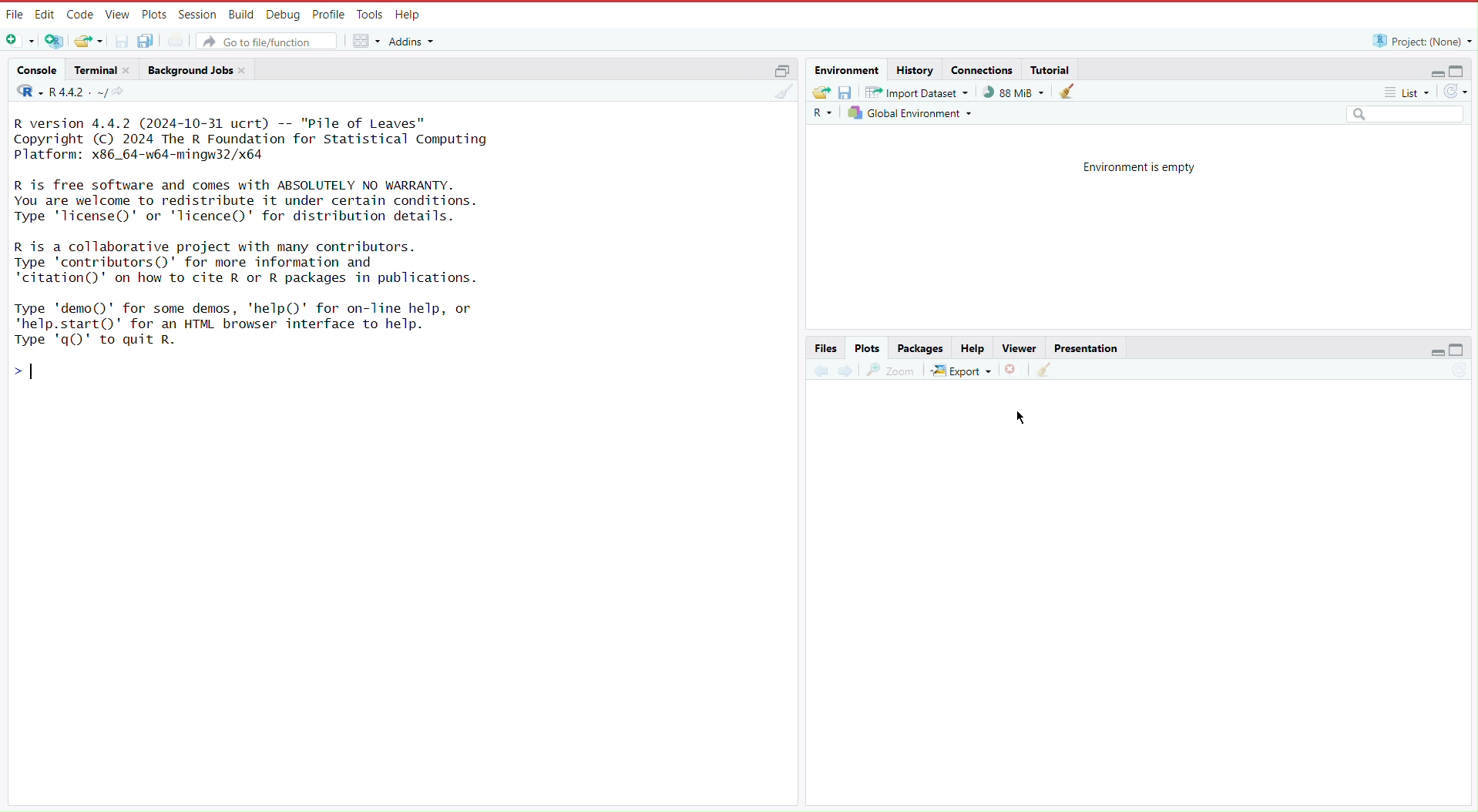  What do you see at coordinates (22, 42) in the screenshot?
I see `New File` at bounding box center [22, 42].